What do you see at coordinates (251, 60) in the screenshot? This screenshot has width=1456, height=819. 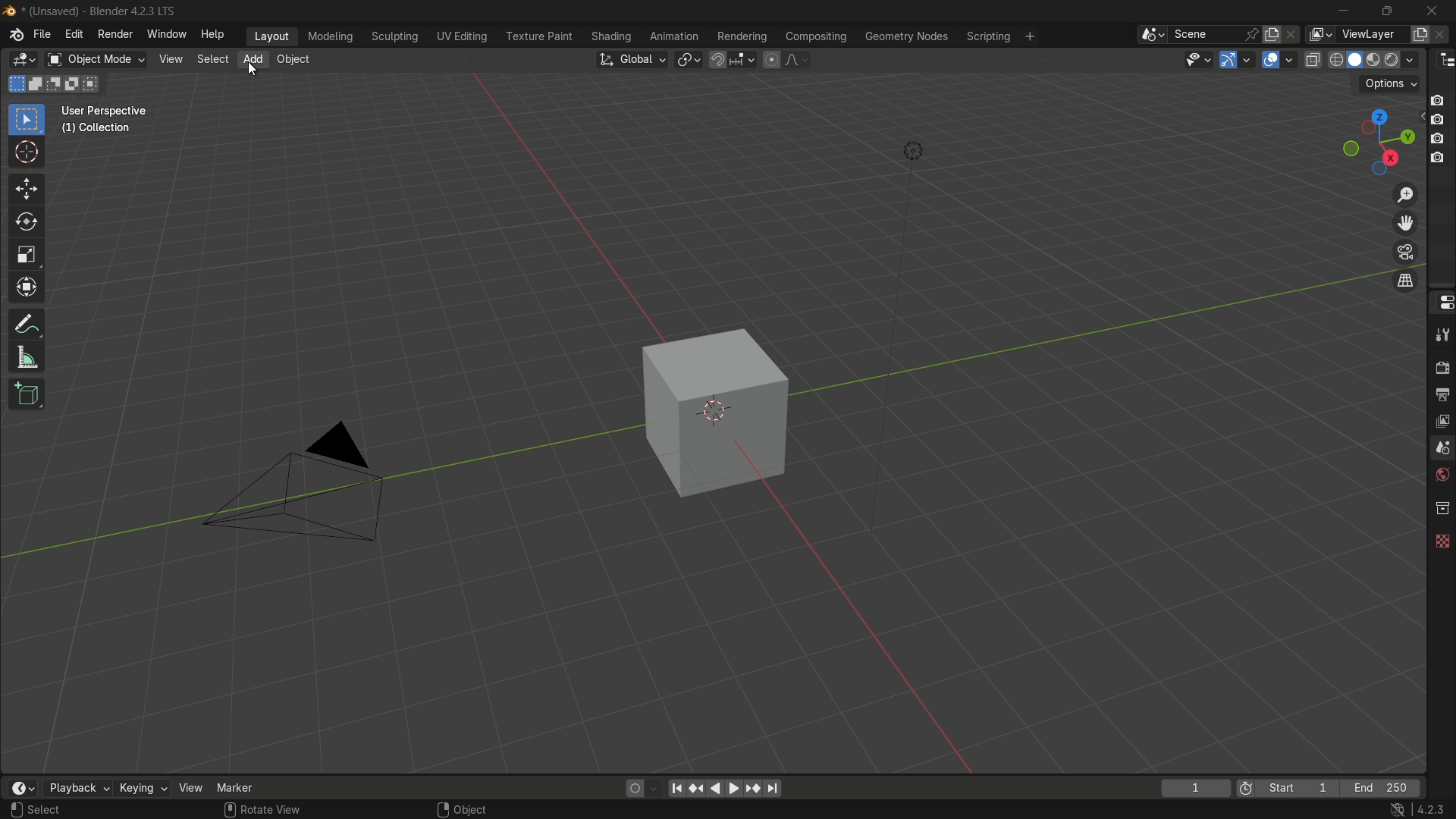 I see `add menu` at bounding box center [251, 60].